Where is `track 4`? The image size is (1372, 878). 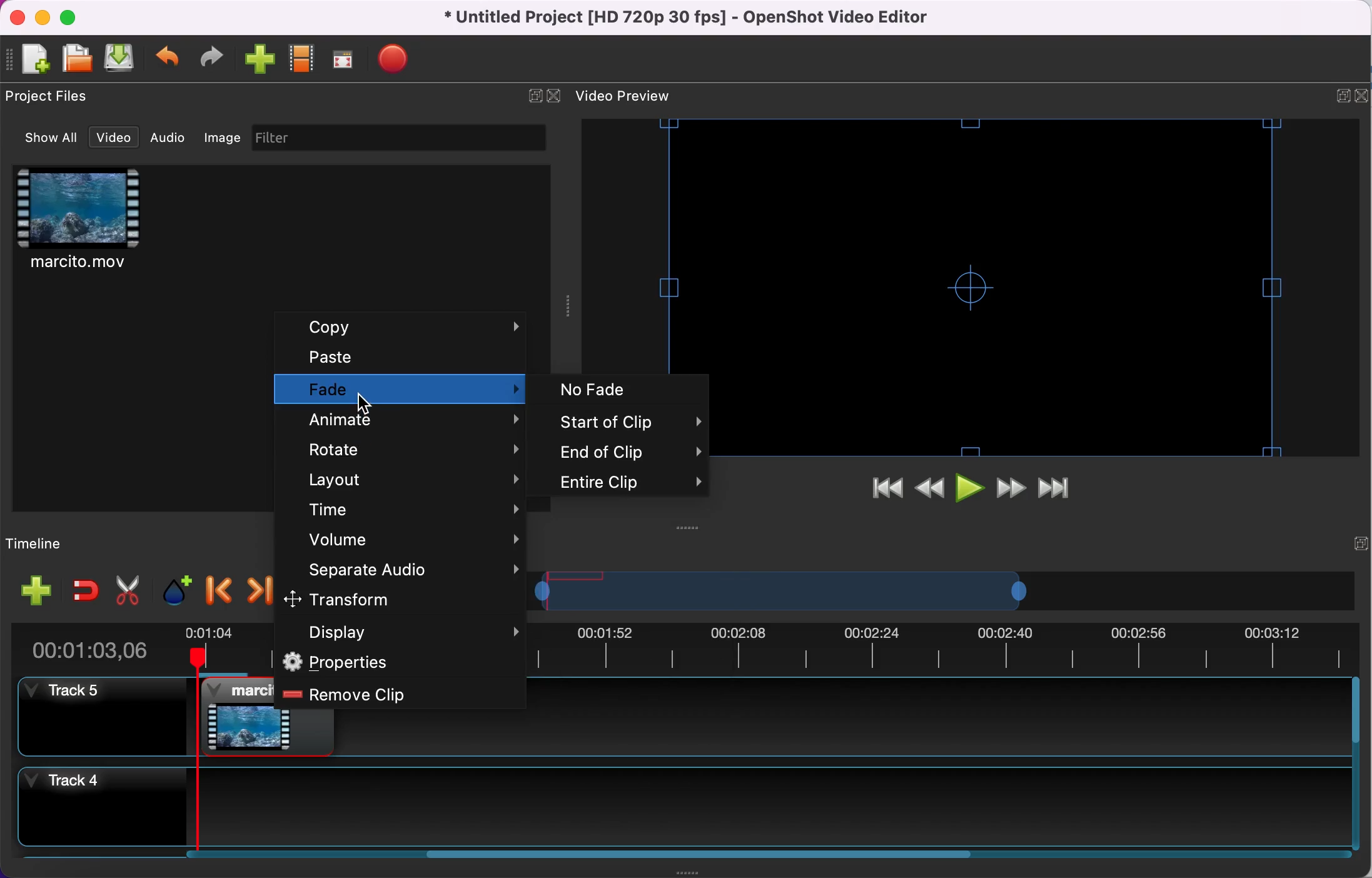
track 4 is located at coordinates (86, 804).